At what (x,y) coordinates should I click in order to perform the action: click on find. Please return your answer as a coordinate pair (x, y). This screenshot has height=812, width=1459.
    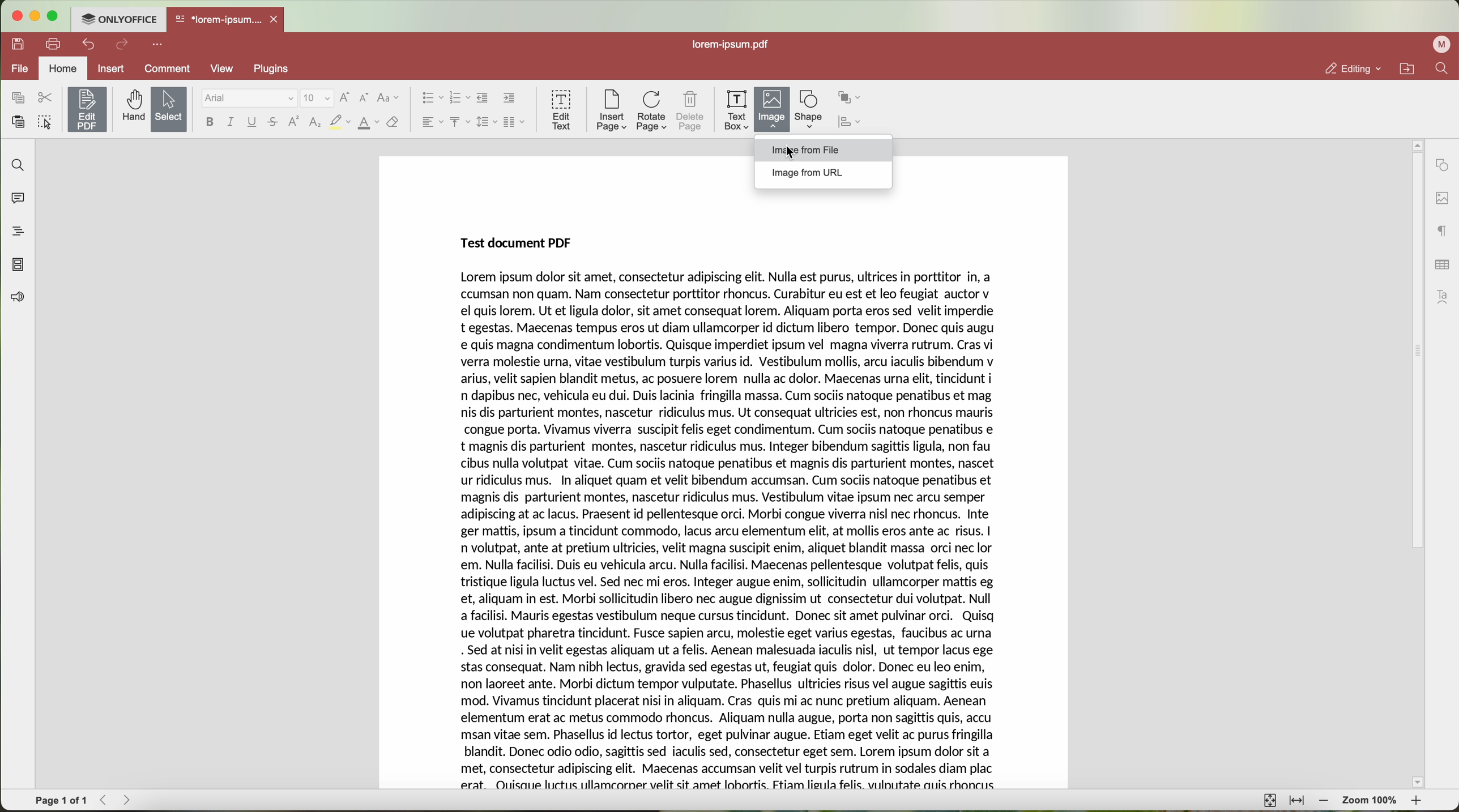
    Looking at the image, I should click on (1441, 68).